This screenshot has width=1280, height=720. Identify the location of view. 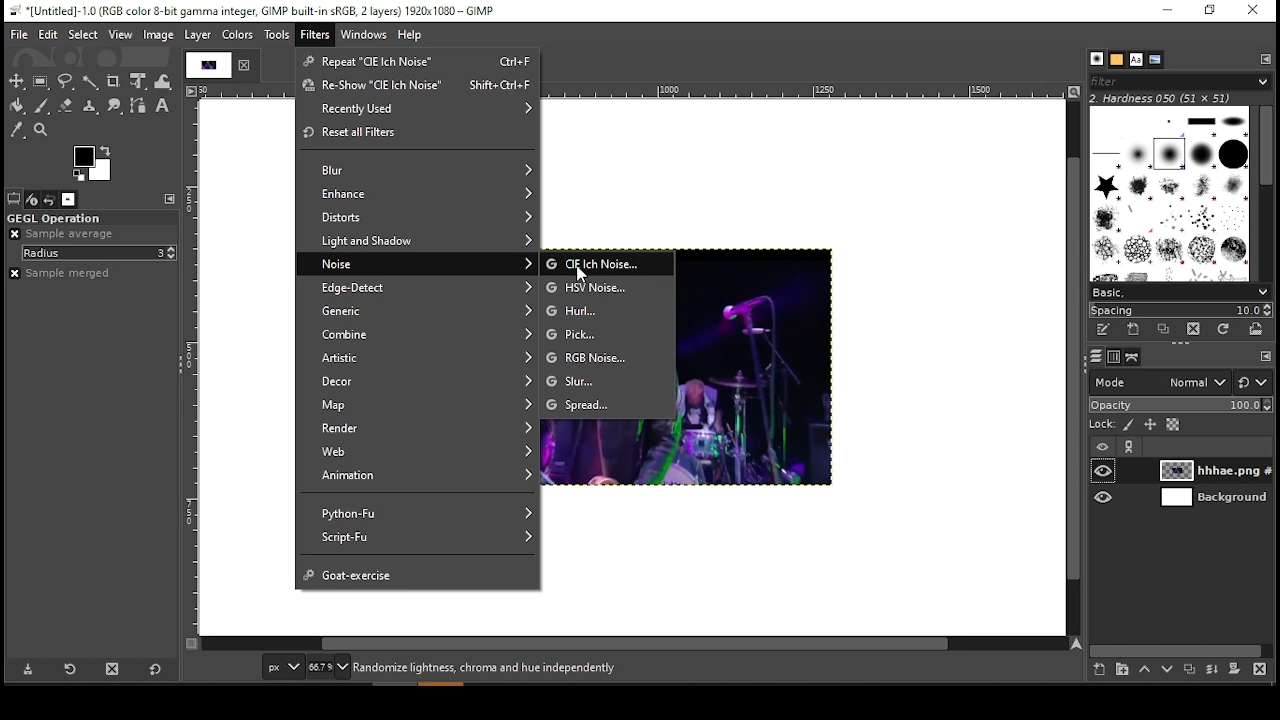
(120, 35).